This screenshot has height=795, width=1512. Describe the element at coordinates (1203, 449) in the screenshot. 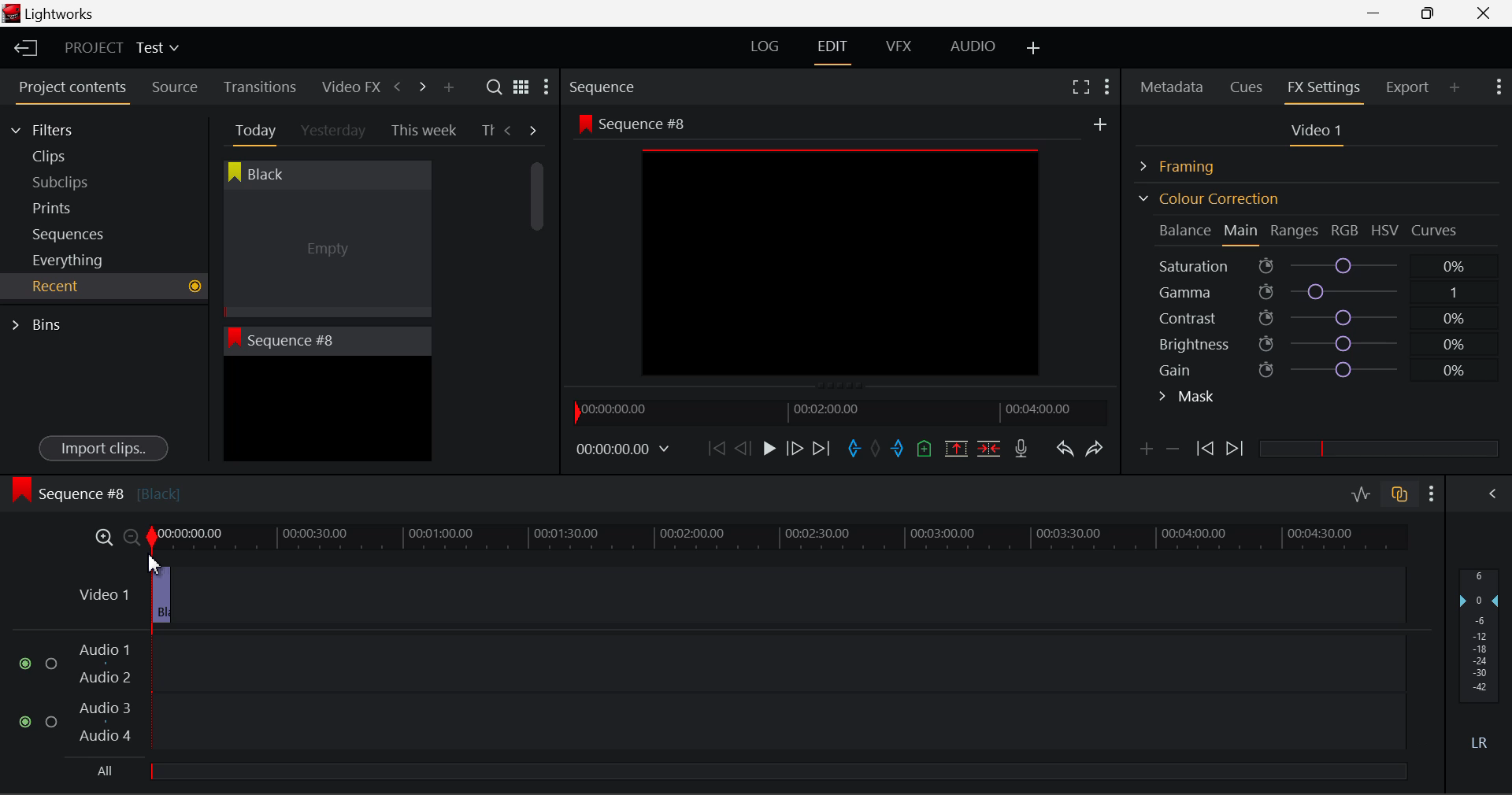

I see `Previous keyframe` at that location.